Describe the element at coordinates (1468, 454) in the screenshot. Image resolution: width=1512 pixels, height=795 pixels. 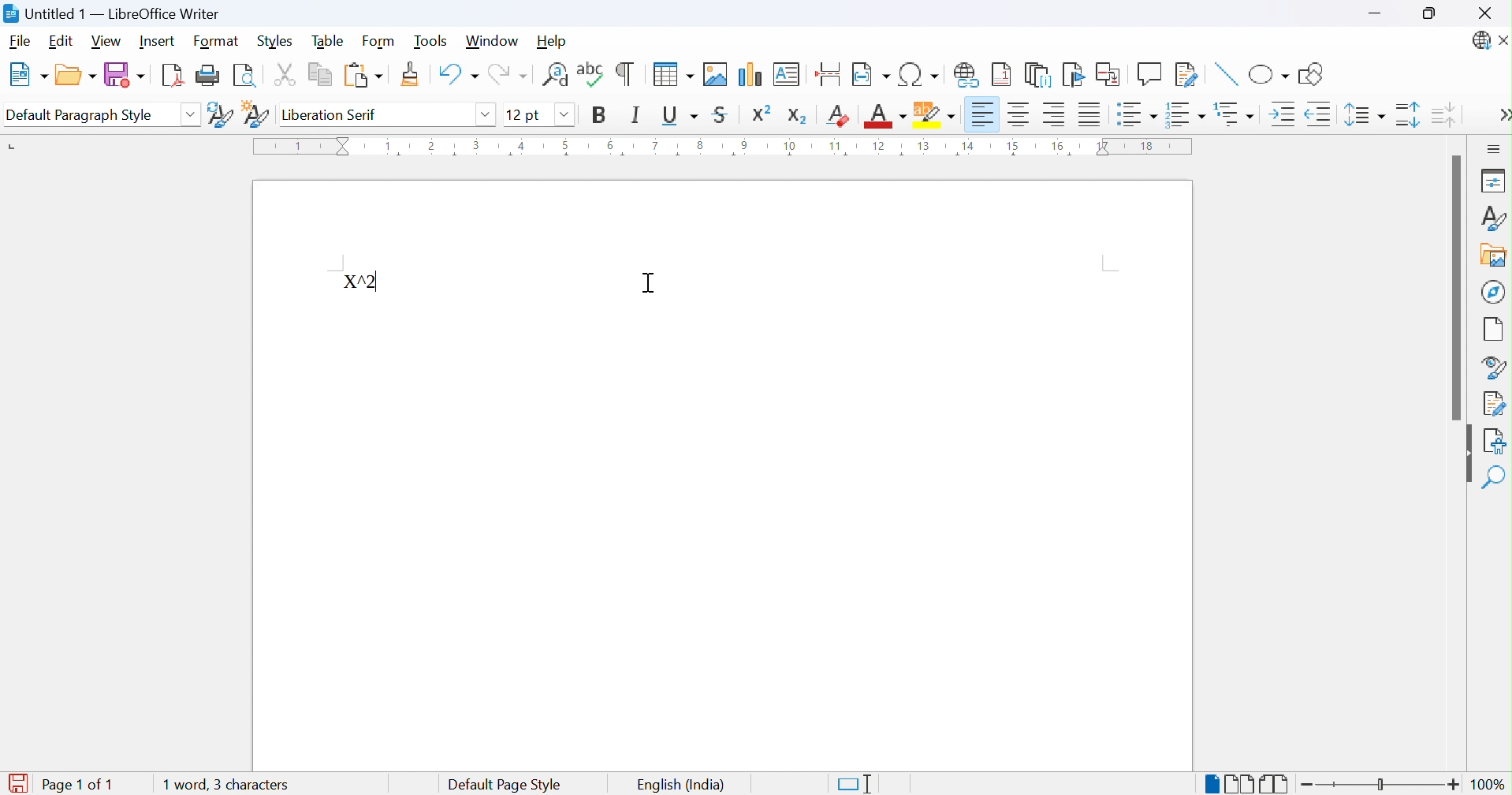
I see `Hide` at that location.